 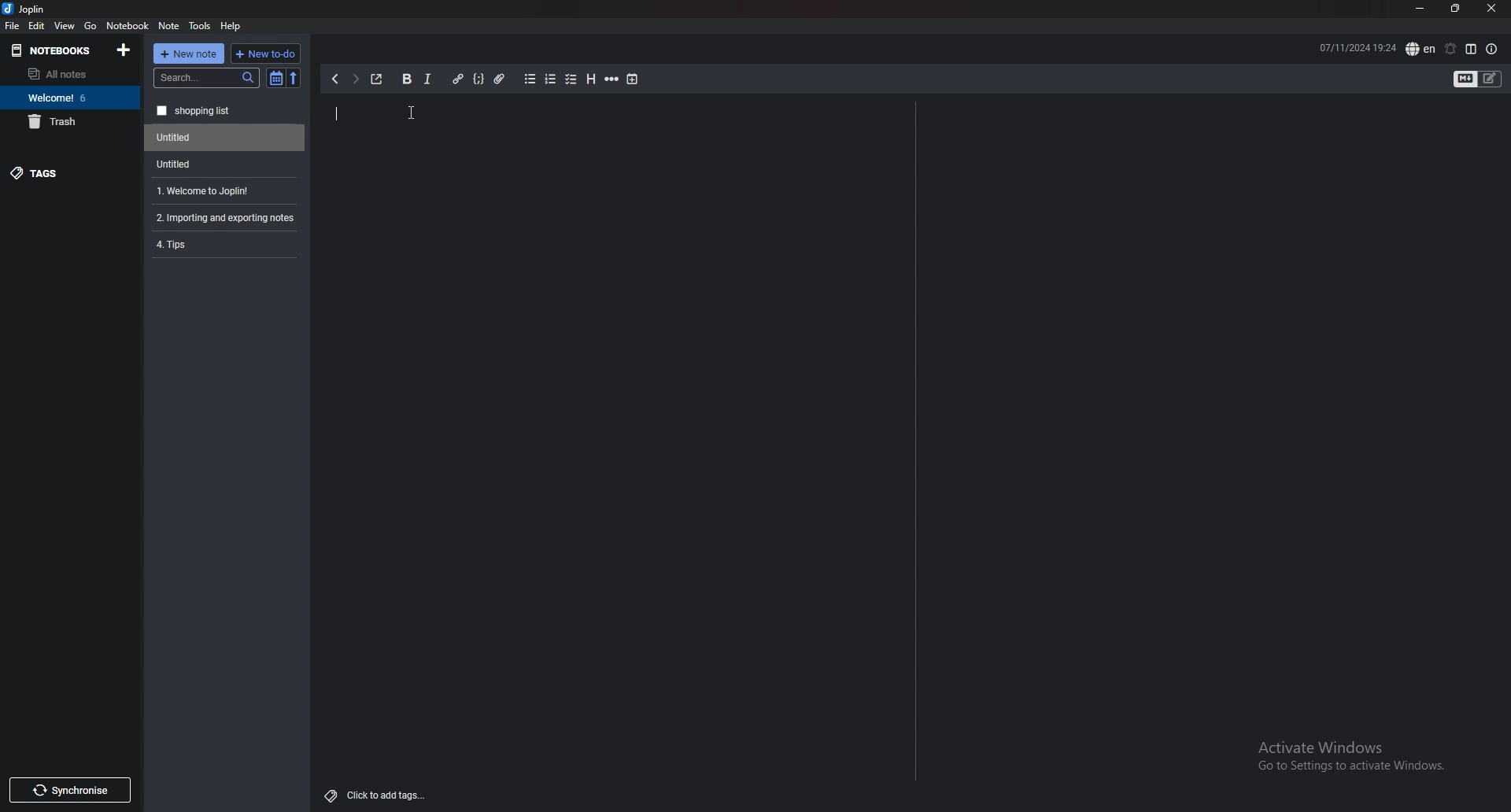 I want to click on toggle editor layout, so click(x=1471, y=49).